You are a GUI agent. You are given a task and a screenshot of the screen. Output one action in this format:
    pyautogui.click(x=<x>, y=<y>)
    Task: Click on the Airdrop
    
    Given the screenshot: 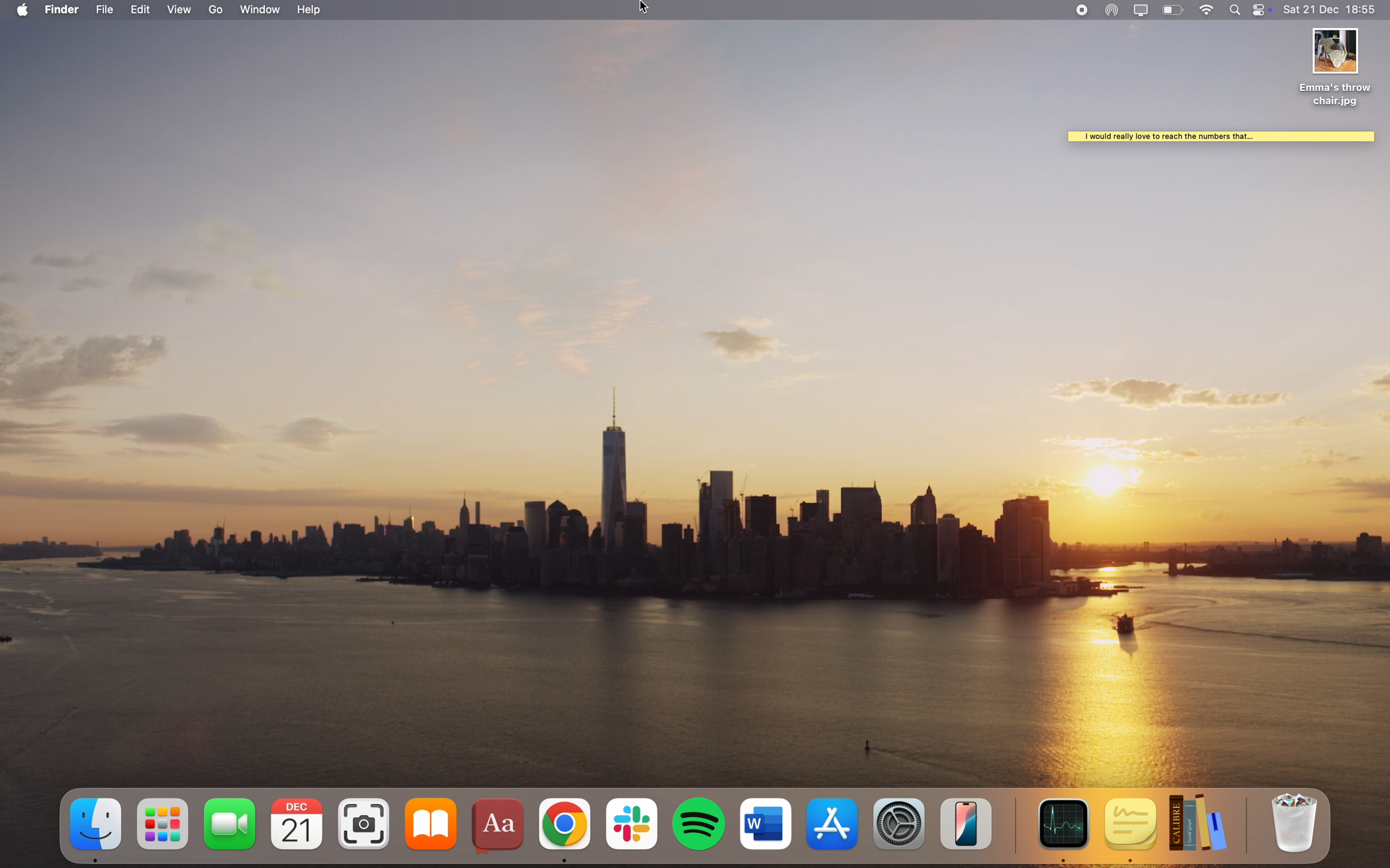 What is the action you would take?
    pyautogui.click(x=1112, y=10)
    